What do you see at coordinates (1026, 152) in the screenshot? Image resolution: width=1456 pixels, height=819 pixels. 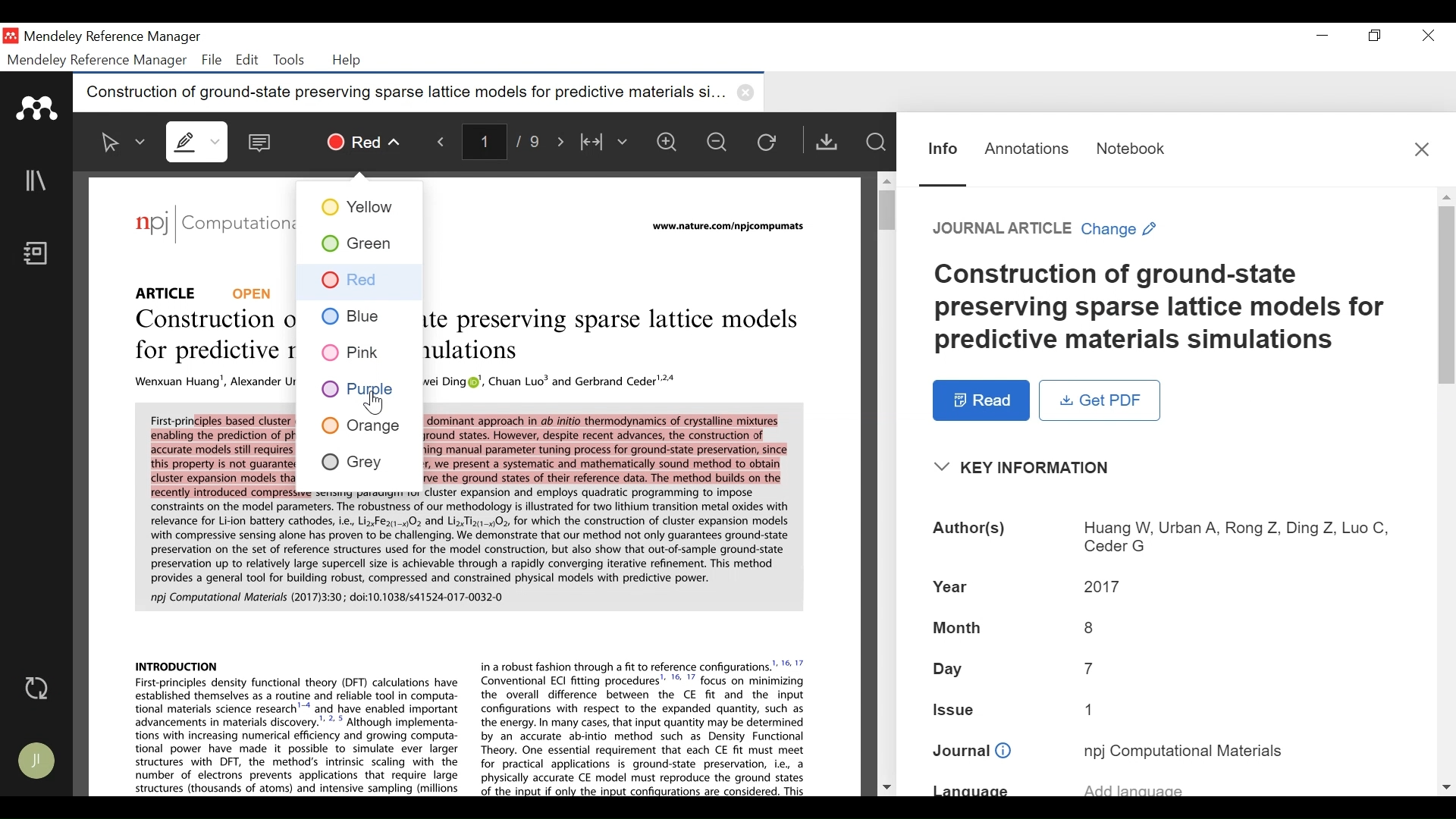 I see `Annotations` at bounding box center [1026, 152].